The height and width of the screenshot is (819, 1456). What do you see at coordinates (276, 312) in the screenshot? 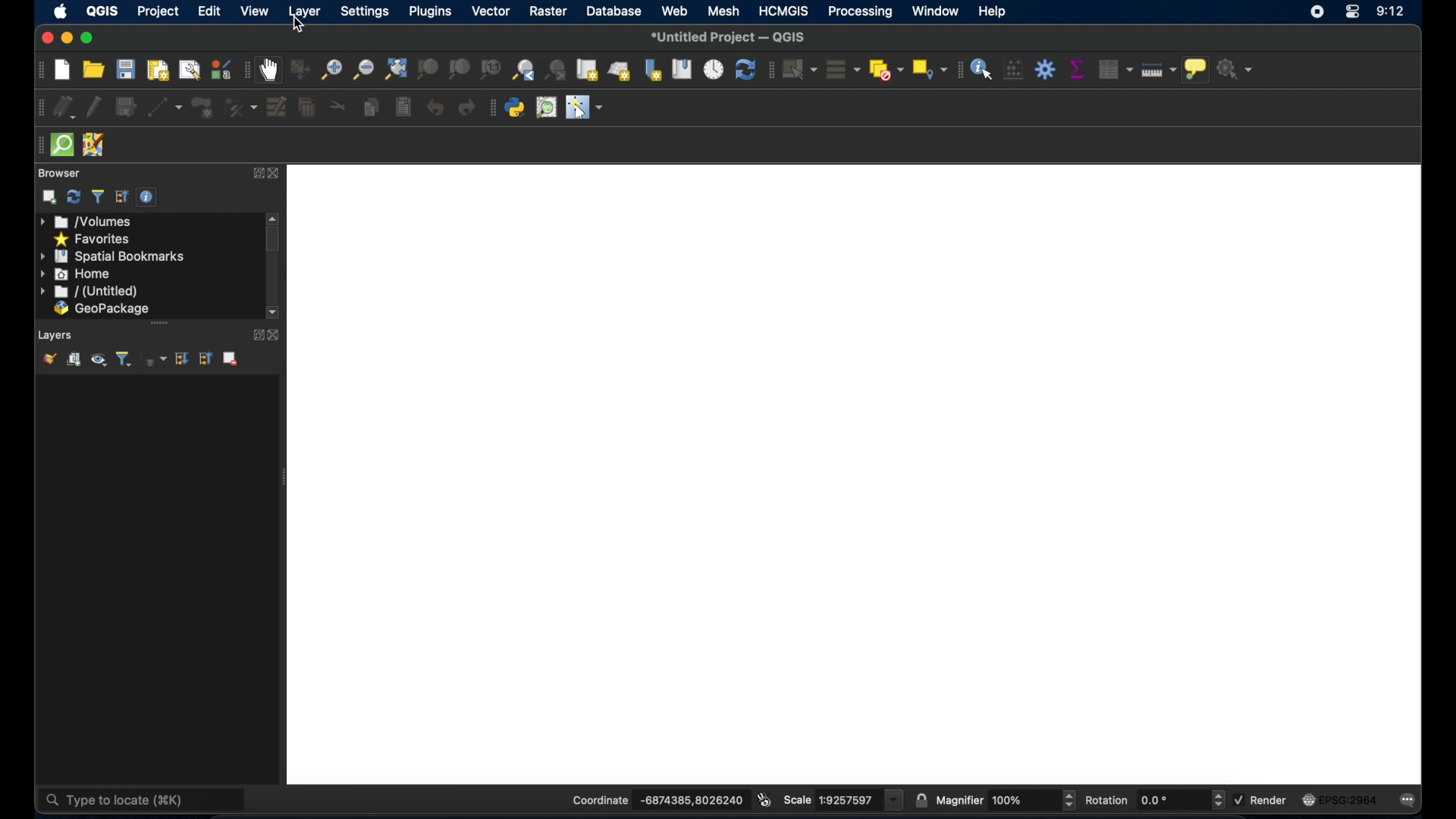
I see `scroll down arrow` at bounding box center [276, 312].